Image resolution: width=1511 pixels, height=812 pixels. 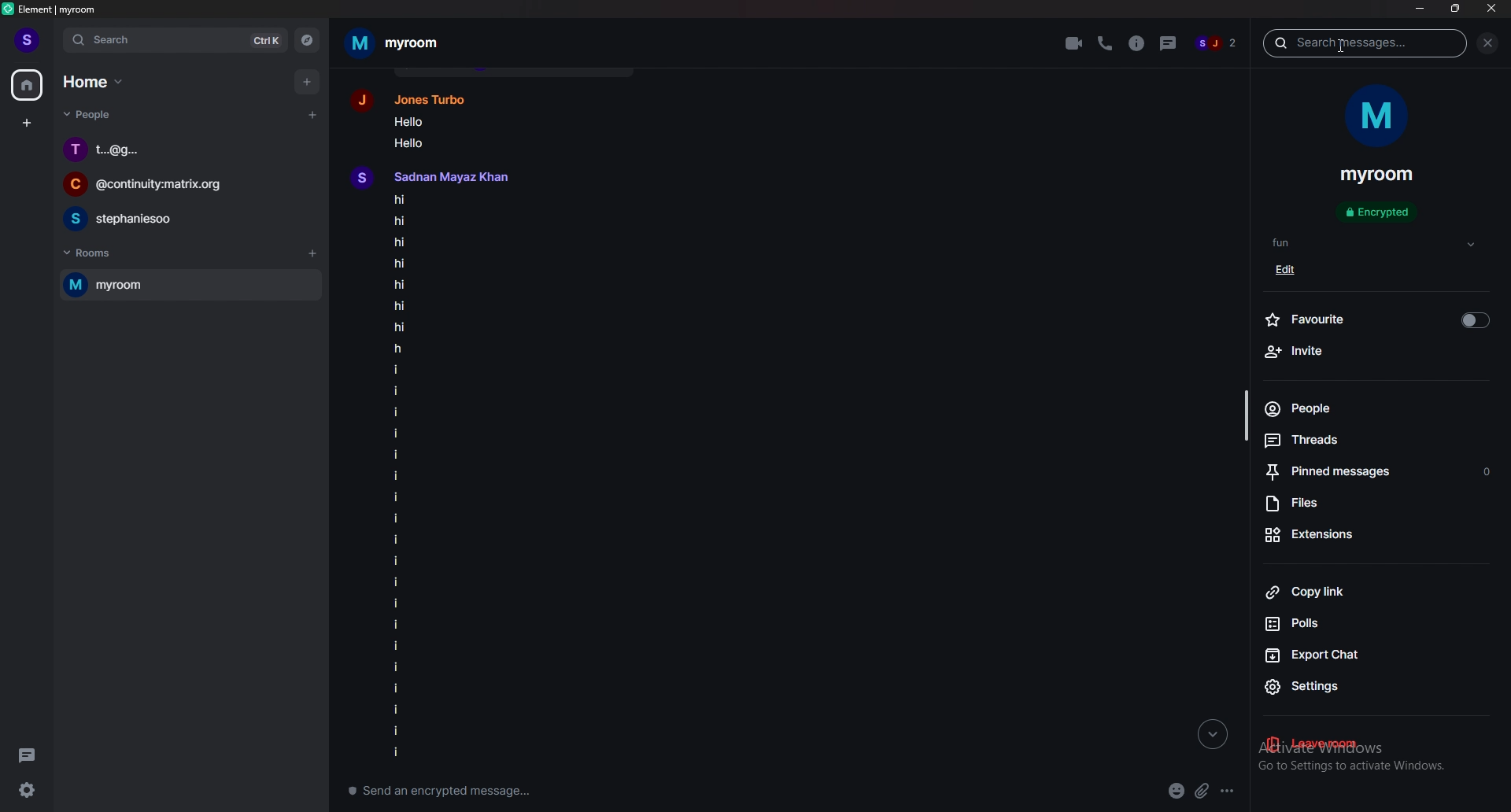 What do you see at coordinates (1376, 119) in the screenshot?
I see `room display photo` at bounding box center [1376, 119].